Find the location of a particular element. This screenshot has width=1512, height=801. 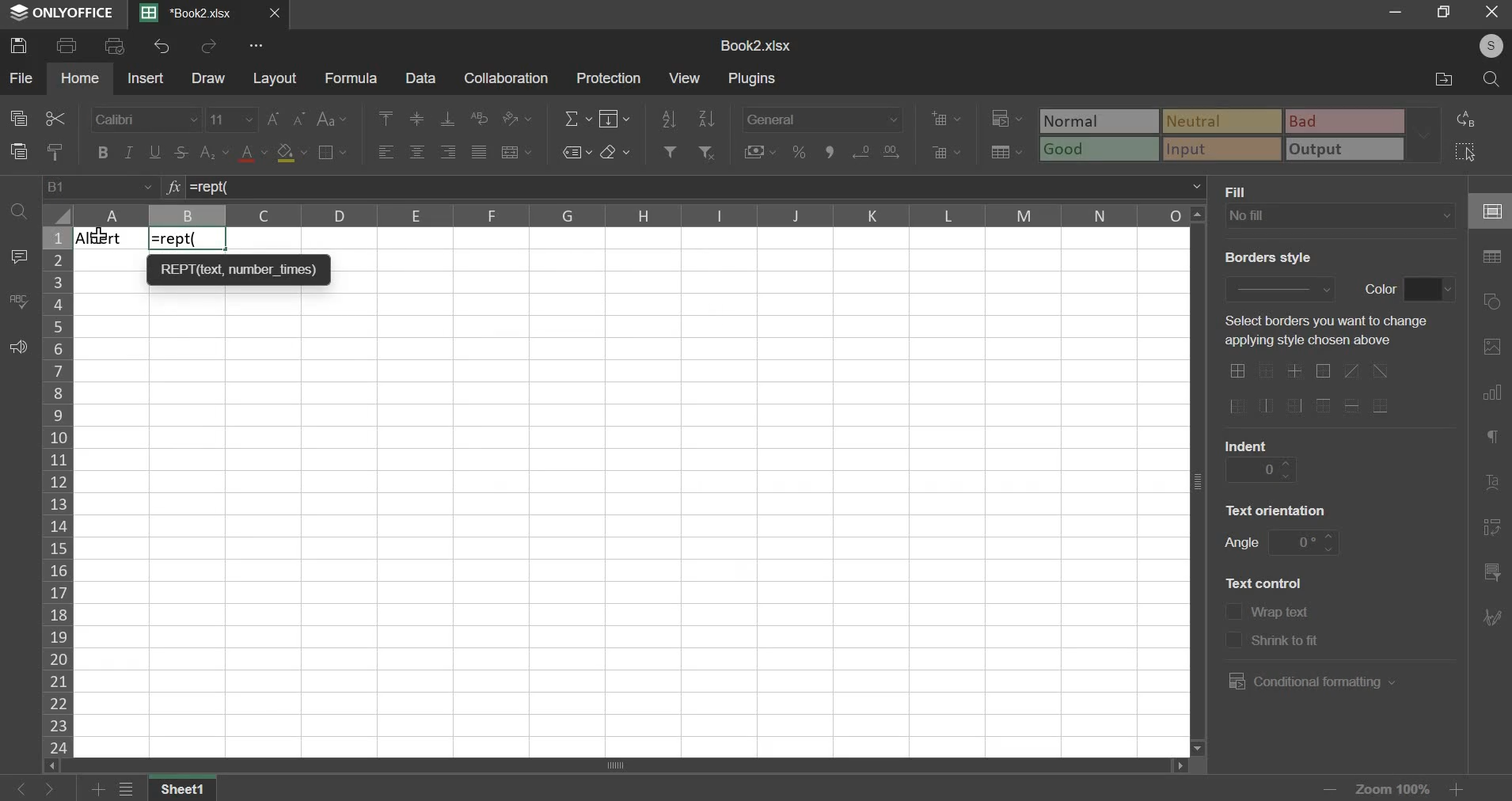

redo is located at coordinates (211, 46).